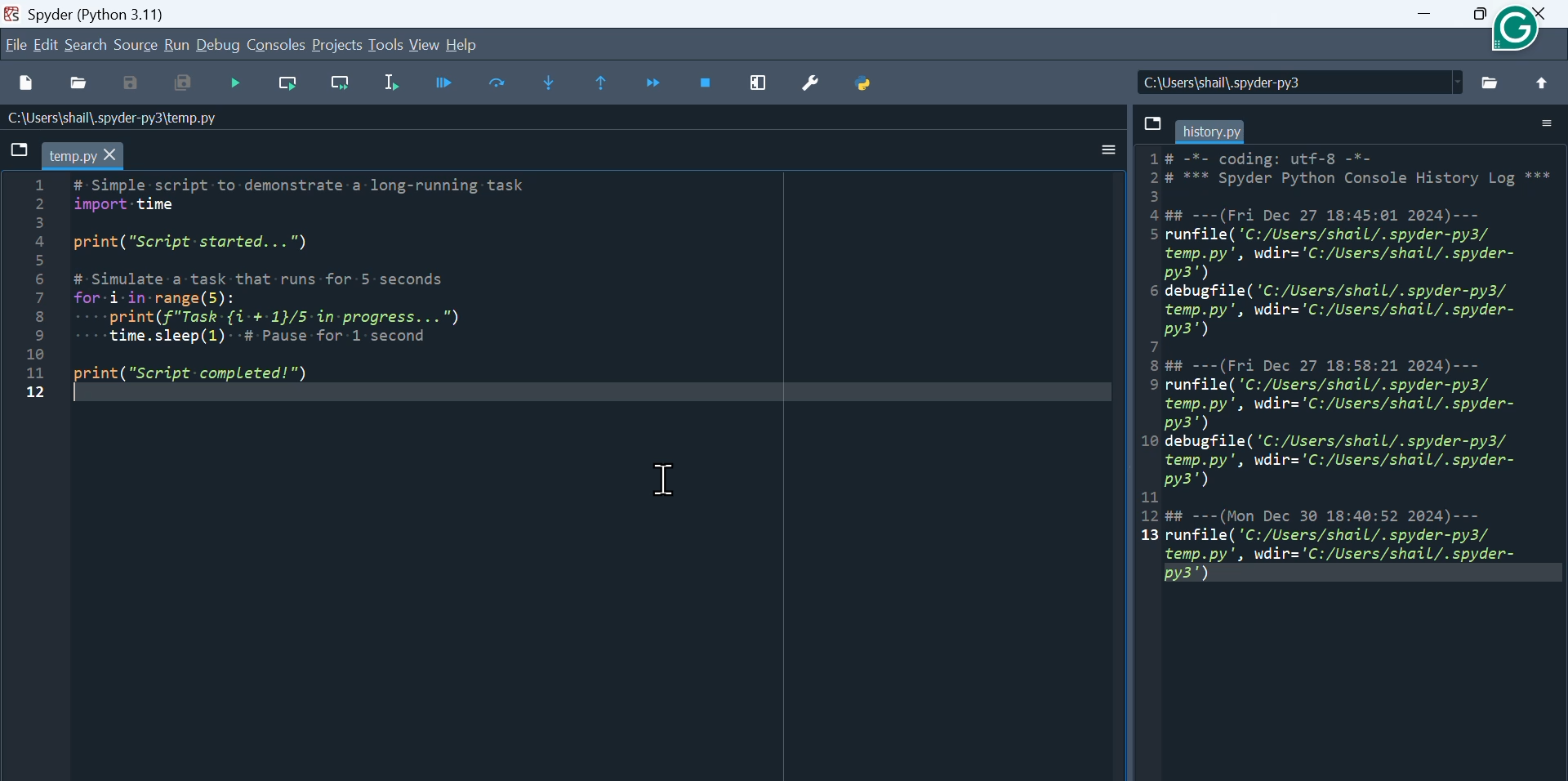 This screenshot has width=1568, height=781. Describe the element at coordinates (1427, 15) in the screenshot. I see `Minimize` at that location.